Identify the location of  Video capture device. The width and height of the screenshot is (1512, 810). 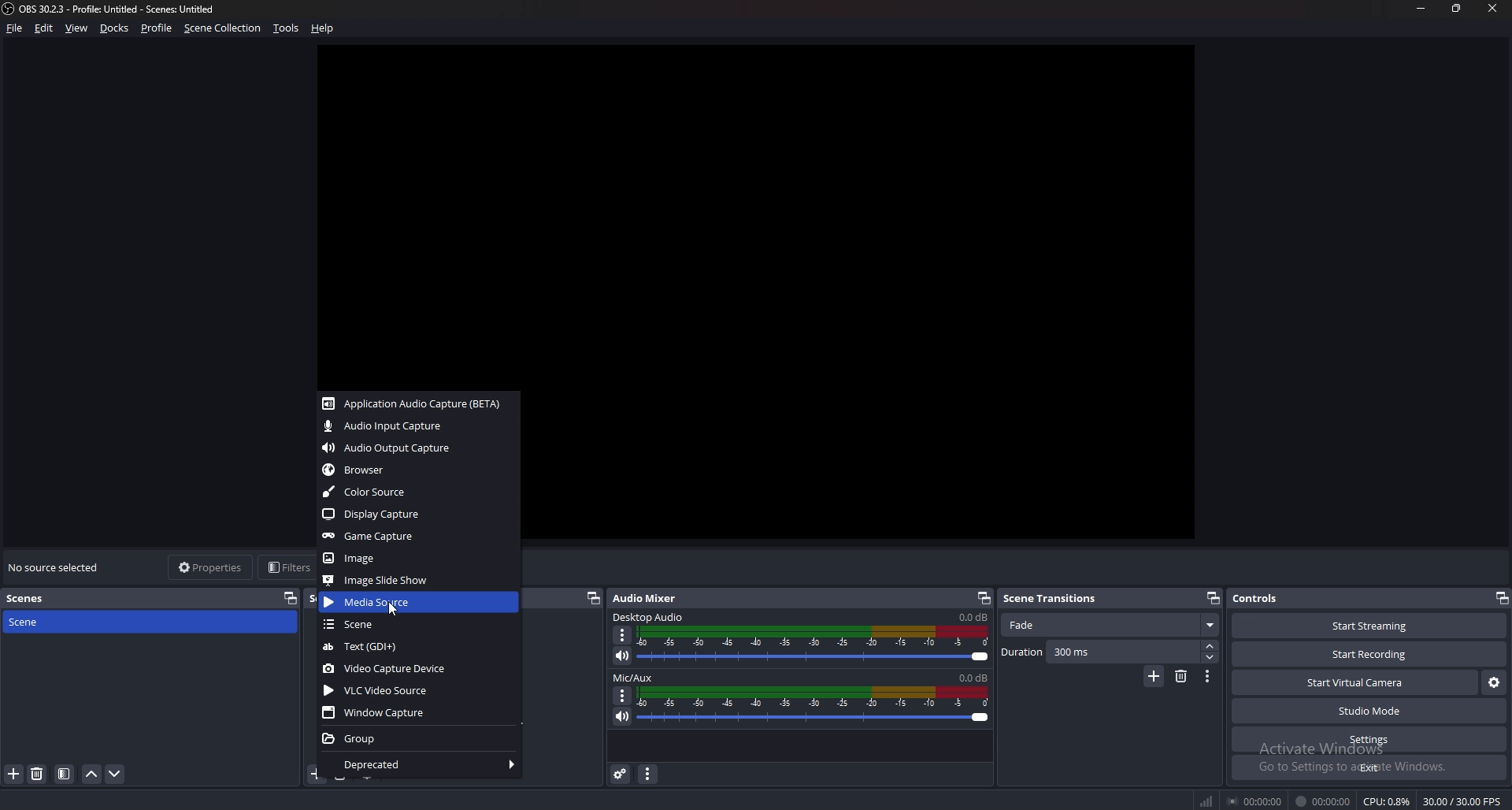
(420, 670).